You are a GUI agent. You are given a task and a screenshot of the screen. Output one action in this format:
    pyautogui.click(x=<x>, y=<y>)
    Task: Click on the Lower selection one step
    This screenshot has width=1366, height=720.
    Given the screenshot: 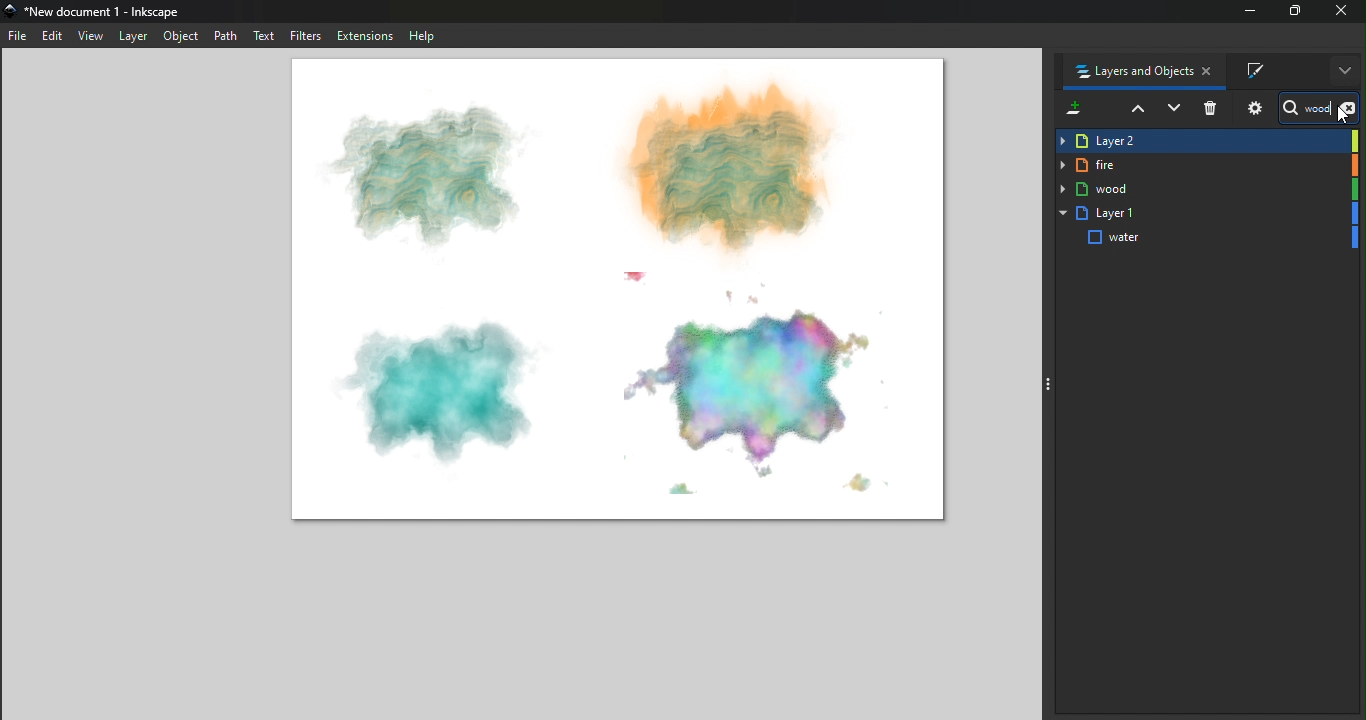 What is the action you would take?
    pyautogui.click(x=1180, y=110)
    